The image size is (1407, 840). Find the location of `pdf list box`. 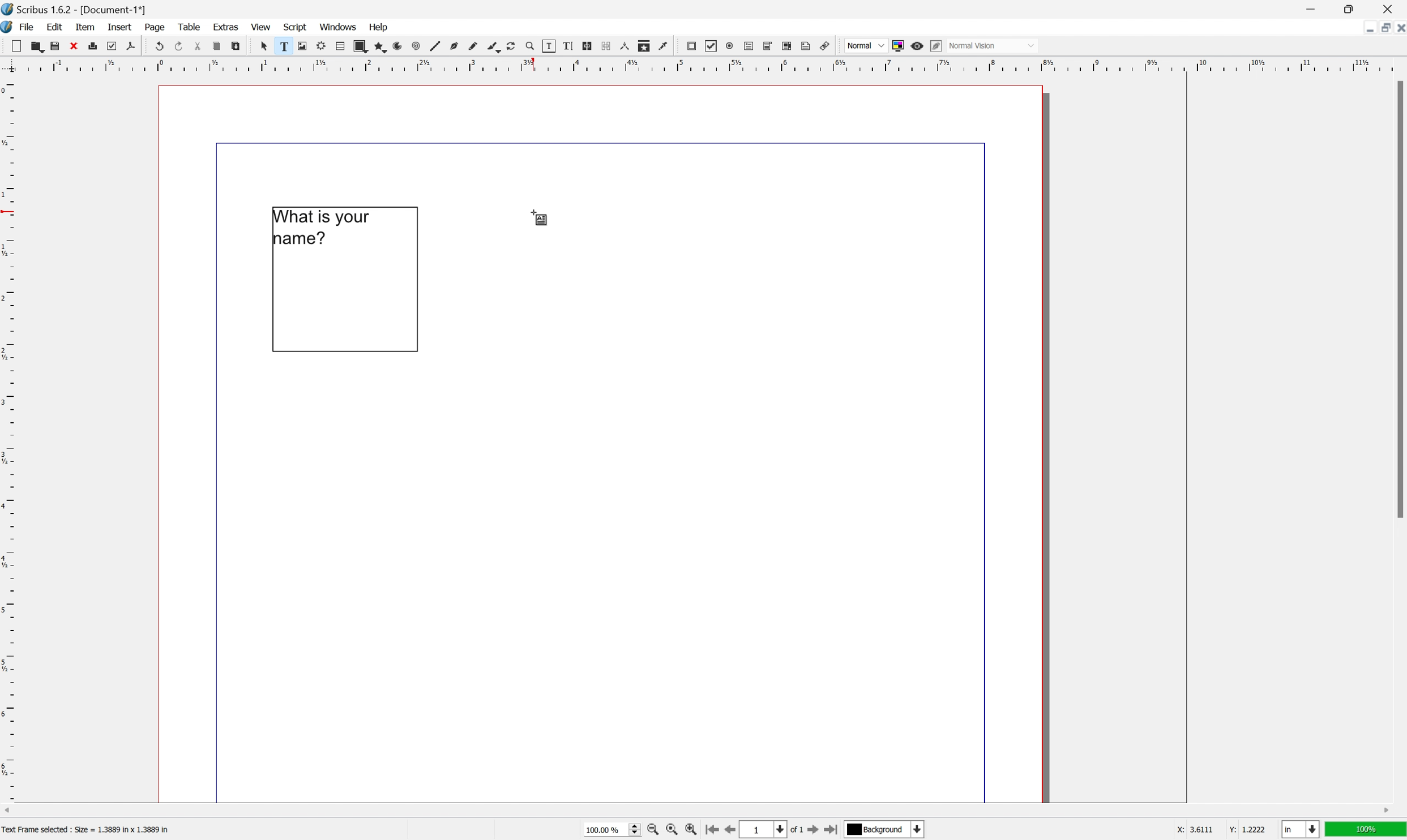

pdf list box is located at coordinates (786, 45).